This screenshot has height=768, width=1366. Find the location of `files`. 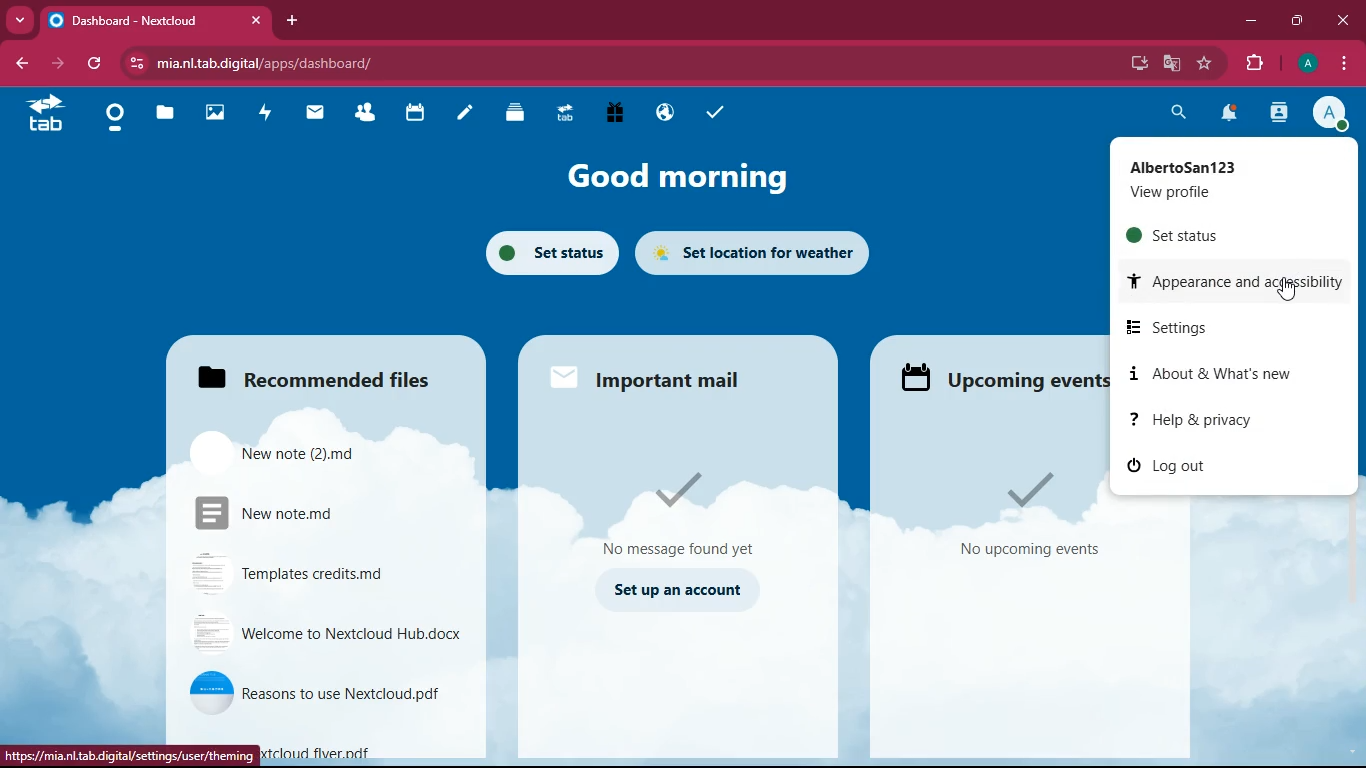

files is located at coordinates (336, 369).